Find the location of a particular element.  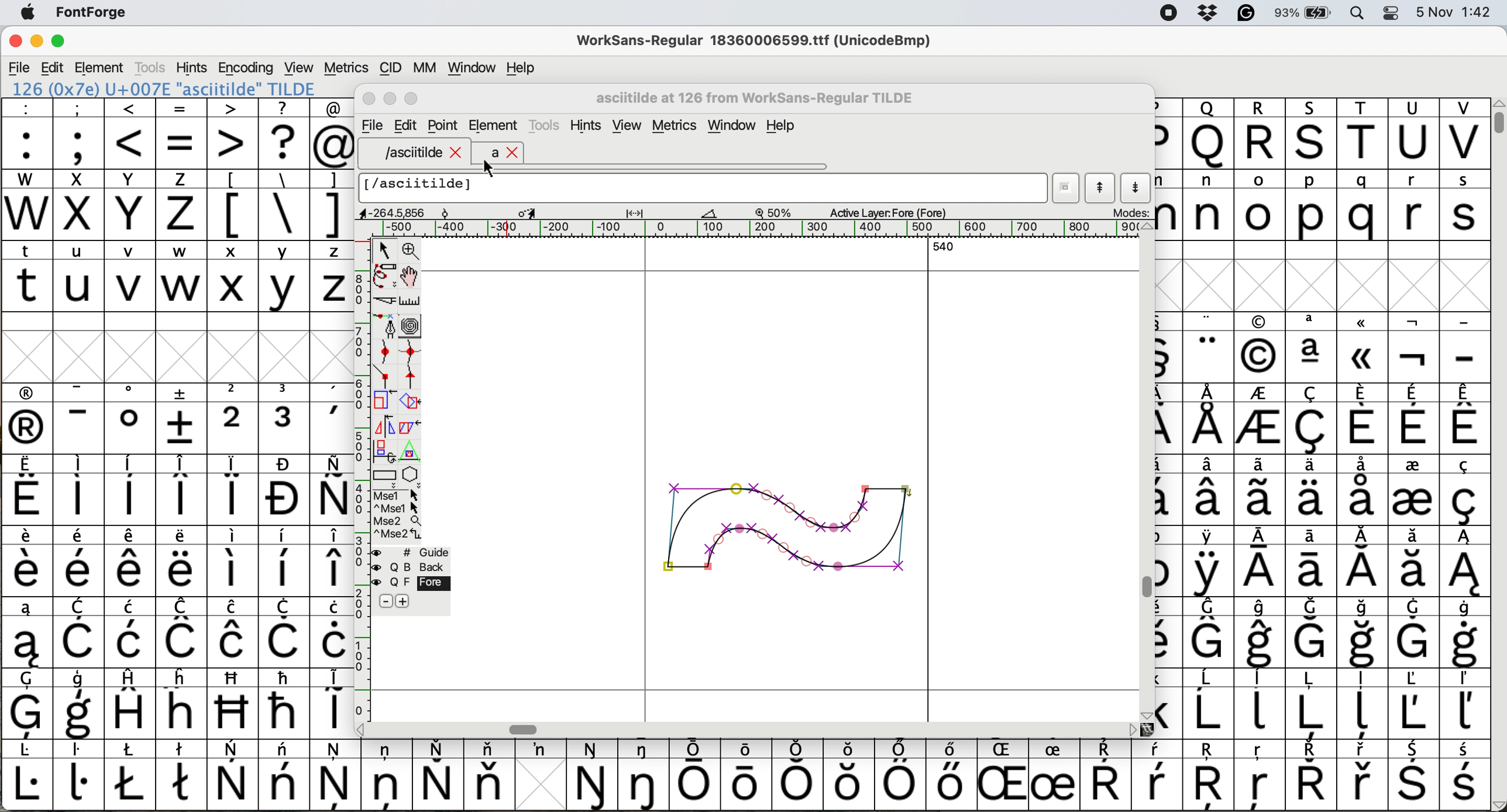

symbol is located at coordinates (800, 774).